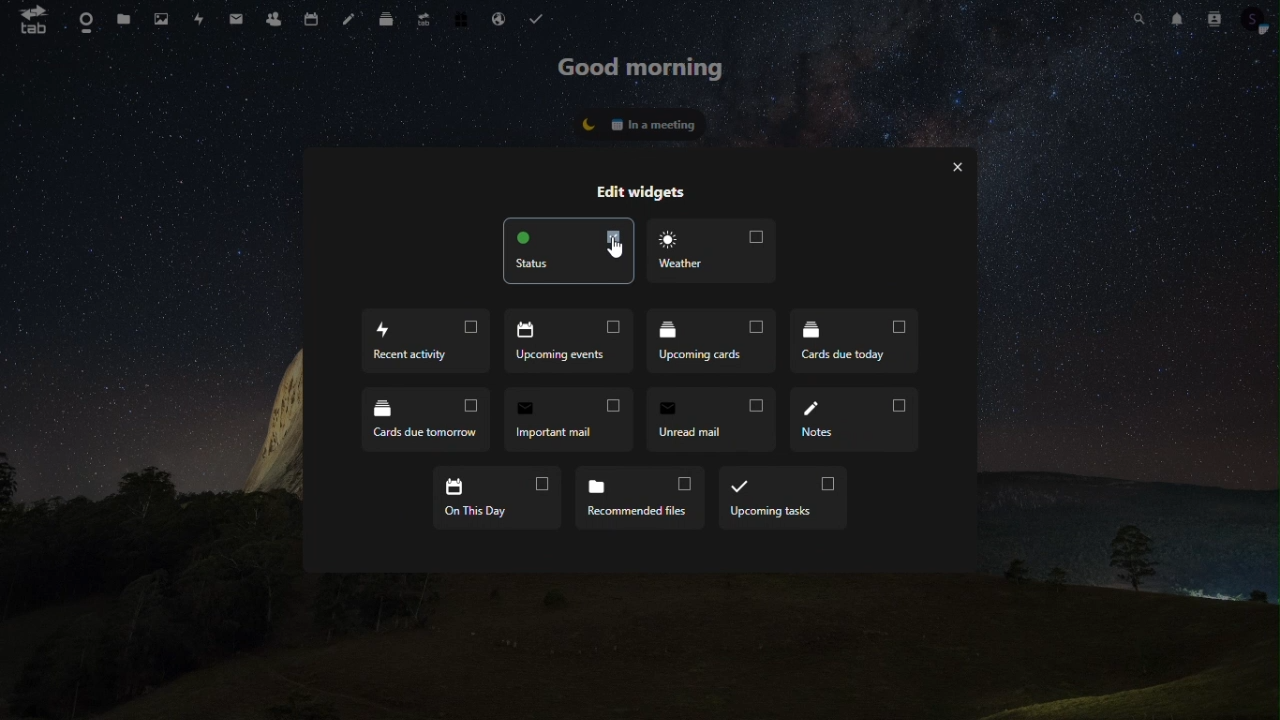 The image size is (1280, 720). I want to click on cursor, so click(613, 247).